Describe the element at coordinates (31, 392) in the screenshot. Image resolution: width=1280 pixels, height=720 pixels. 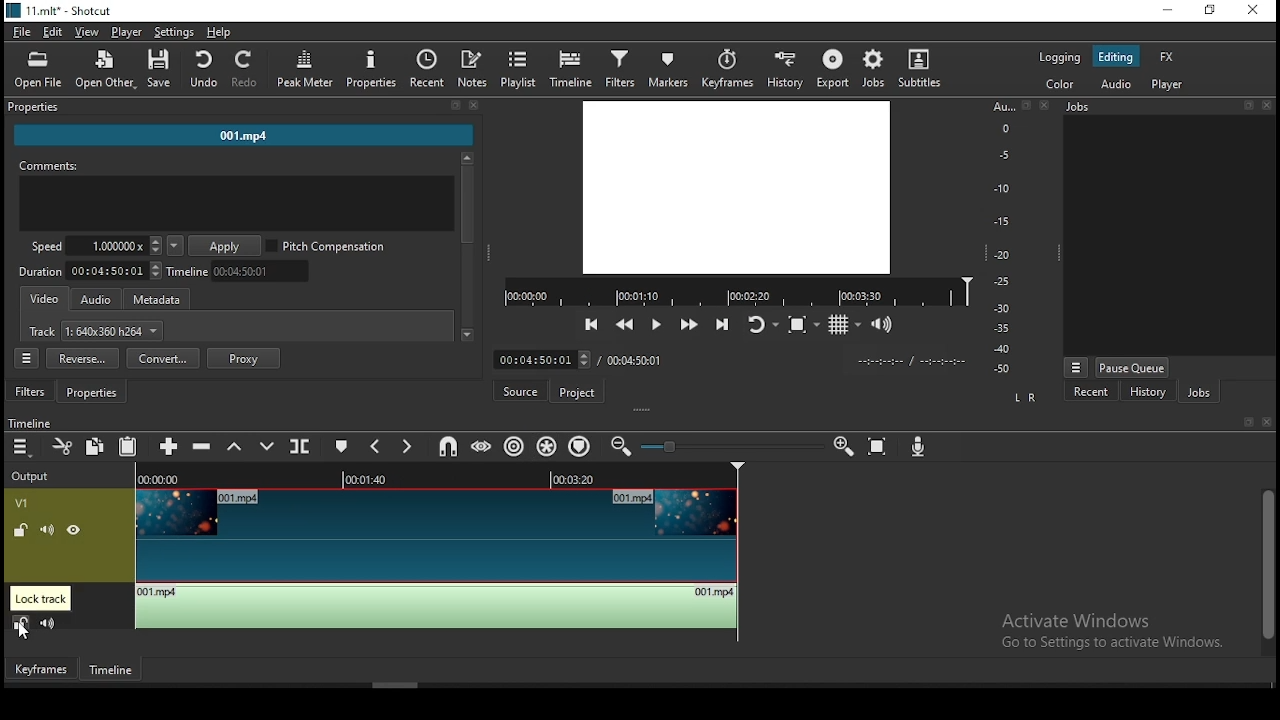
I see `filters` at that location.